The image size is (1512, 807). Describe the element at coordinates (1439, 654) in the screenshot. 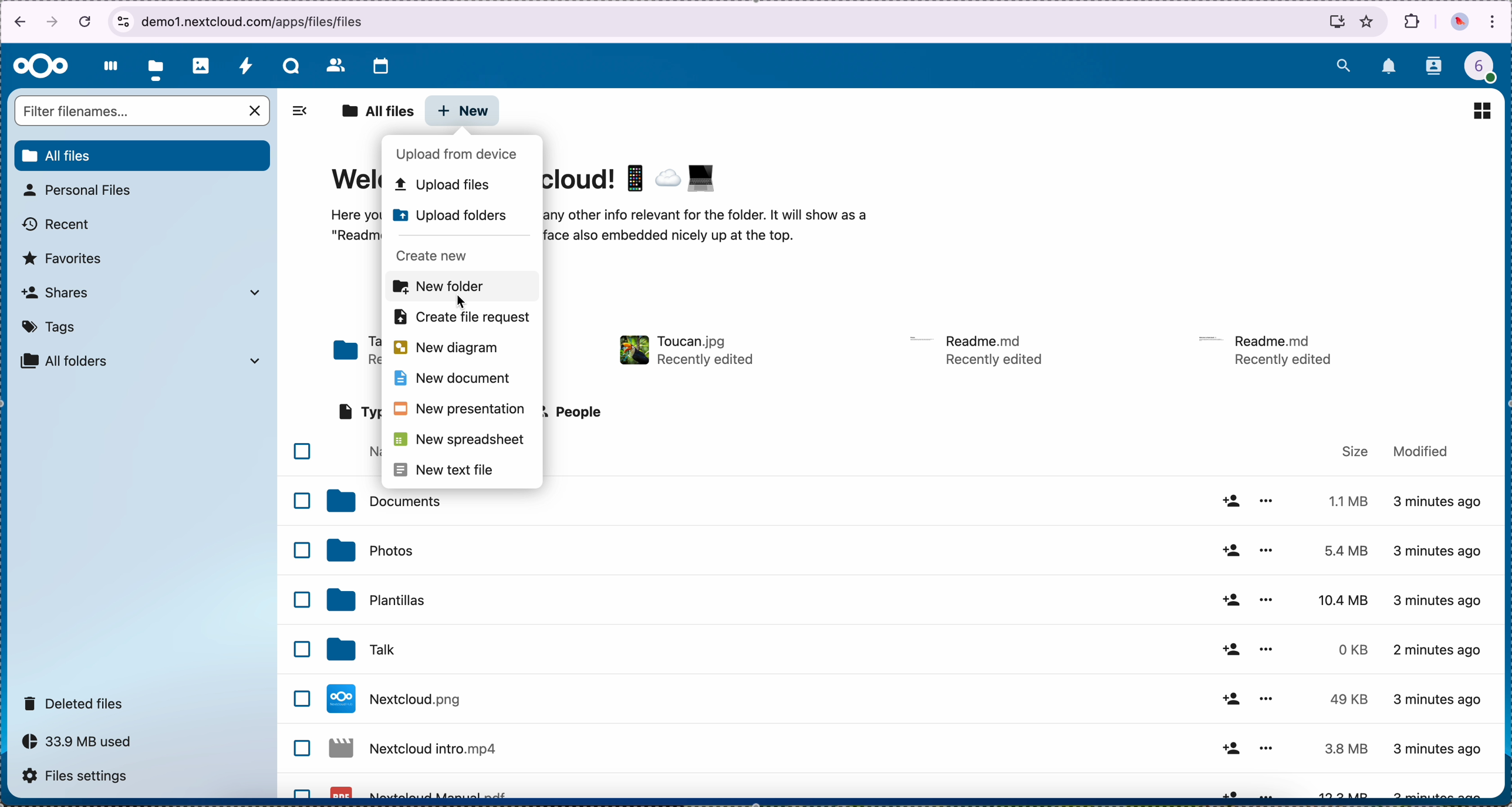

I see `4 minutes ago` at that location.